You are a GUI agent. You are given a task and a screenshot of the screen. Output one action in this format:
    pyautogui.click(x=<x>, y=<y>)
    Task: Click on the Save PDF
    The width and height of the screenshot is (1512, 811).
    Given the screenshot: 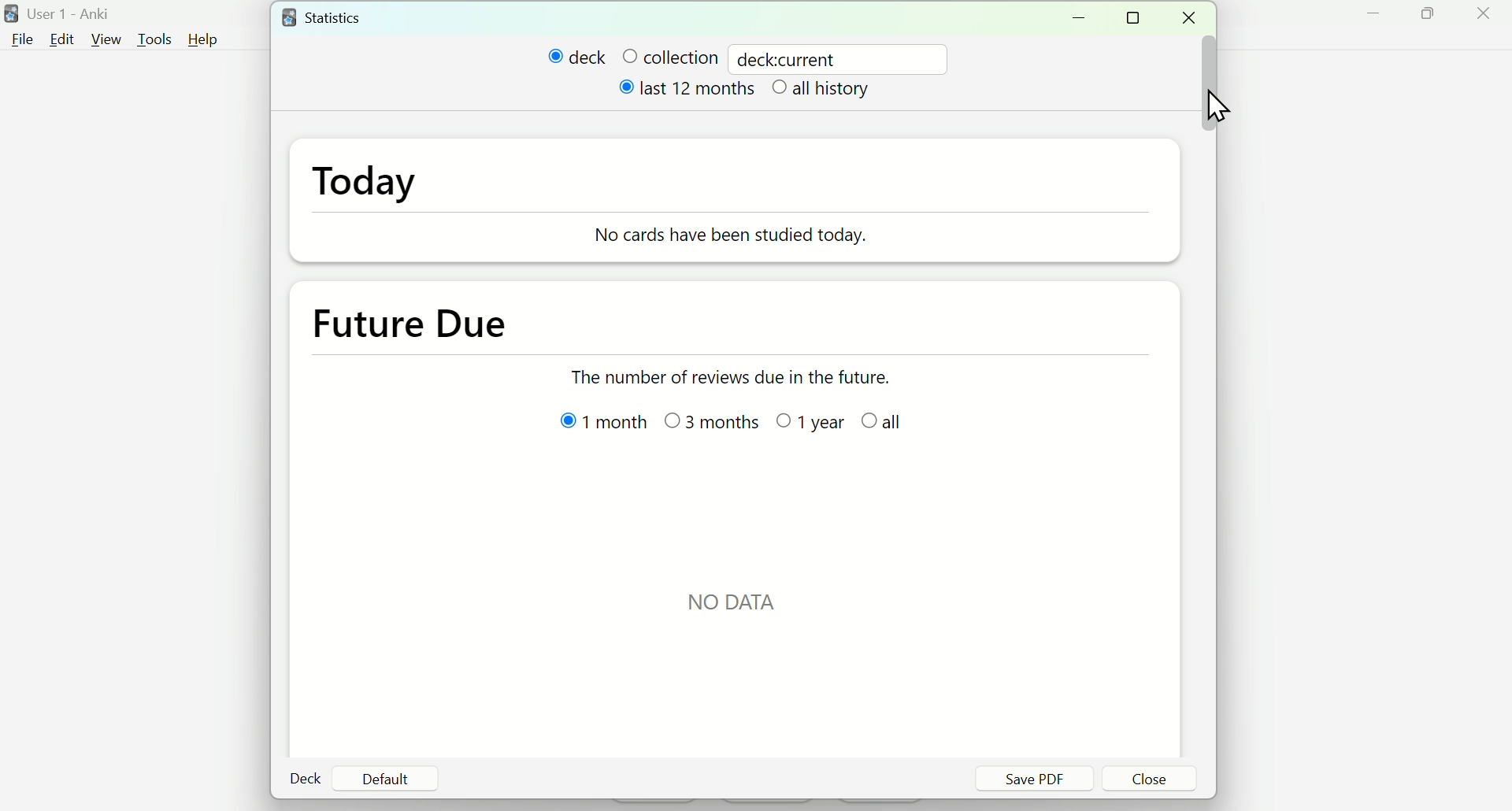 What is the action you would take?
    pyautogui.click(x=1033, y=779)
    